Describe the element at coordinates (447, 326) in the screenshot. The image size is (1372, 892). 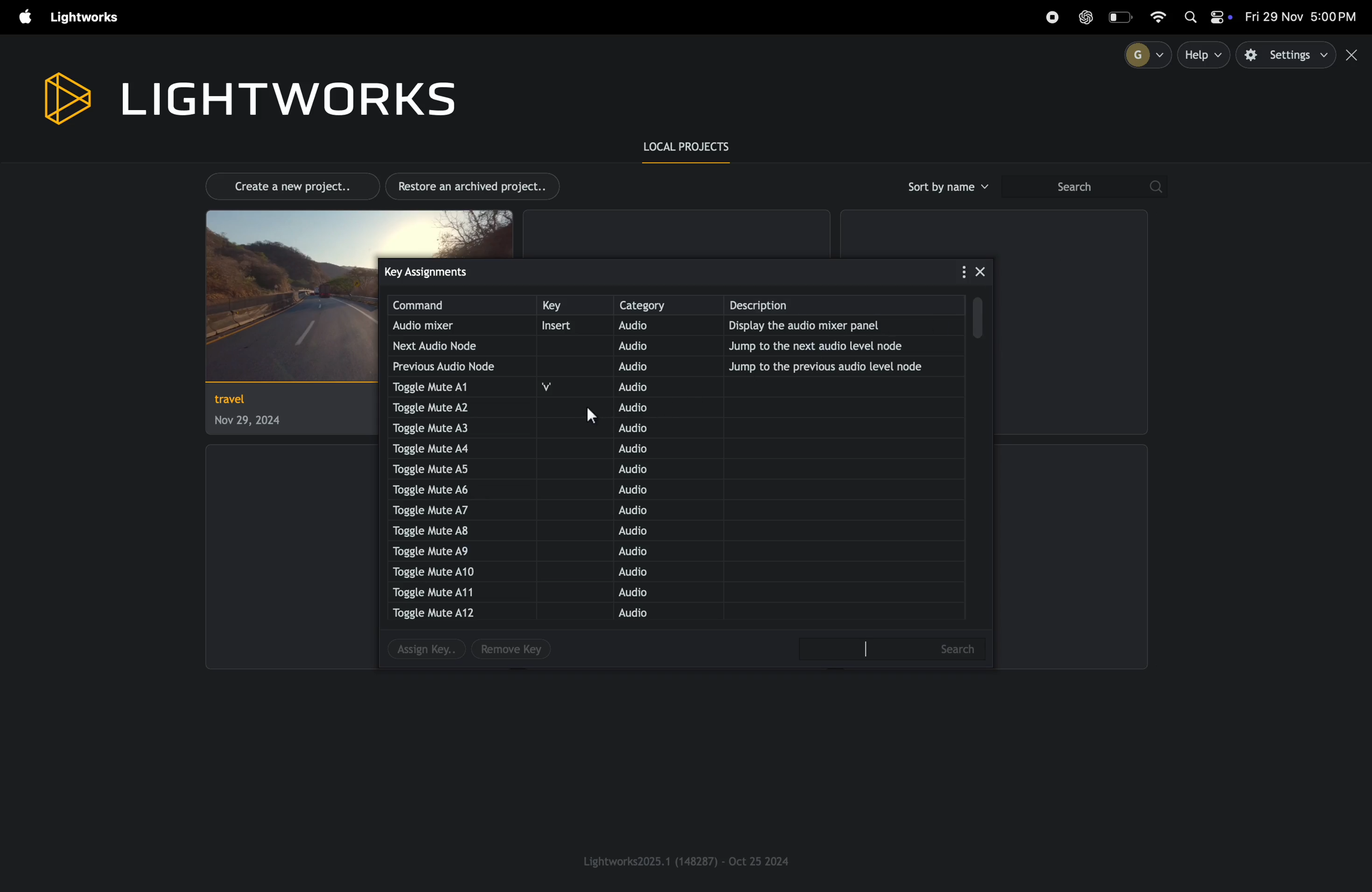
I see `audio mixer` at that location.